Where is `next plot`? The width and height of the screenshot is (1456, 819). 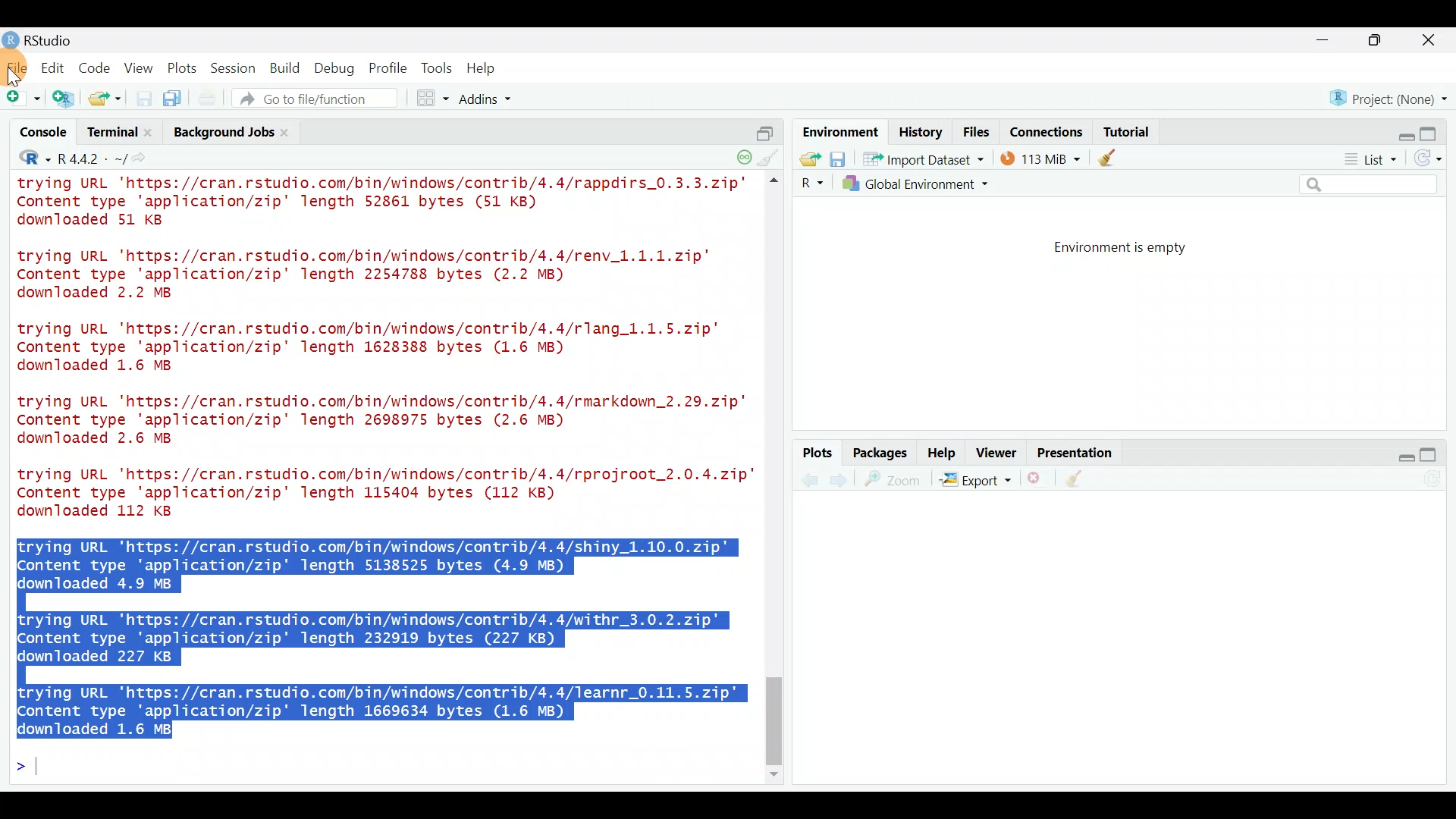 next plot is located at coordinates (809, 480).